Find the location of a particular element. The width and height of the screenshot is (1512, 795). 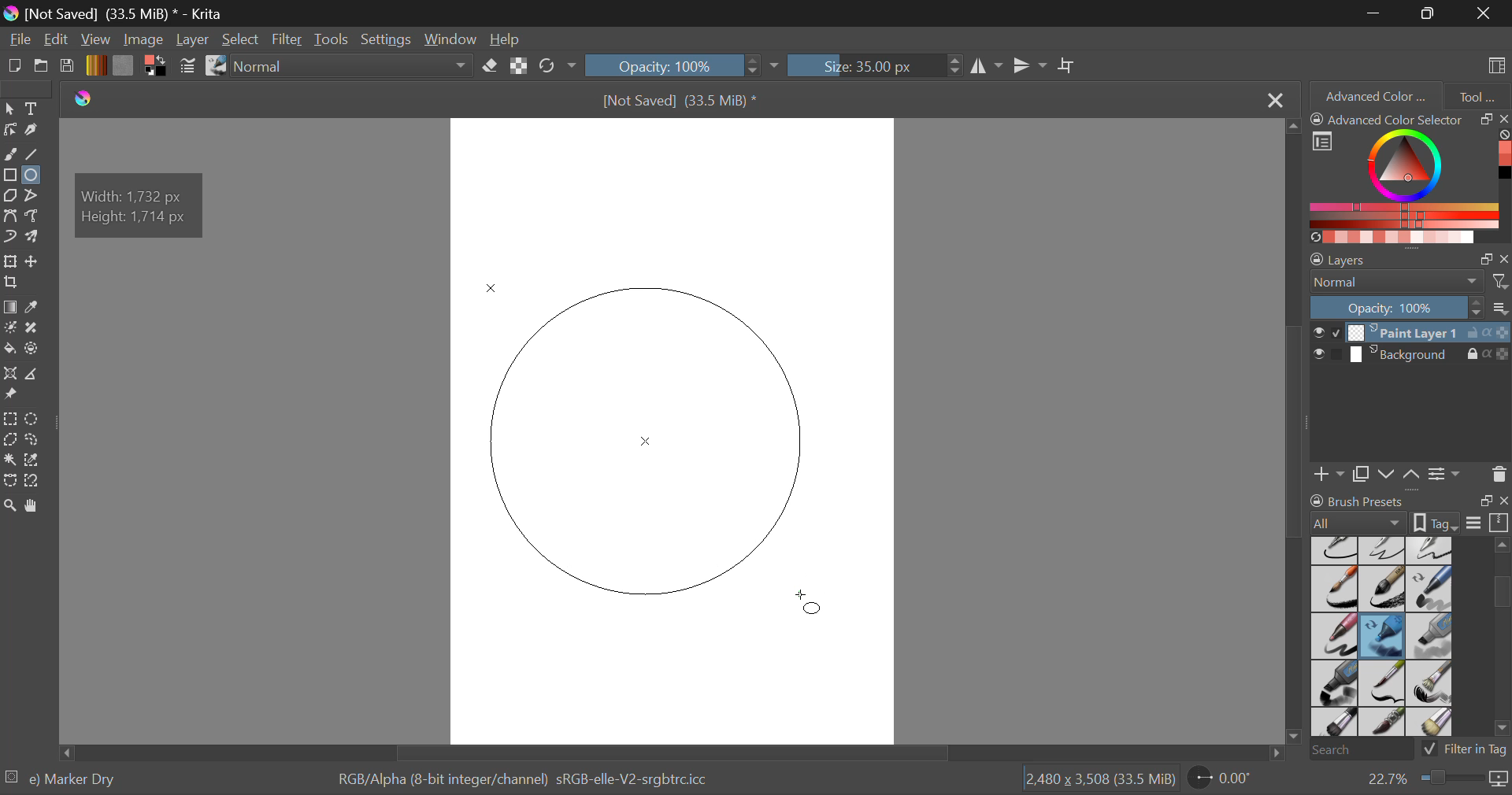

Help is located at coordinates (507, 41).